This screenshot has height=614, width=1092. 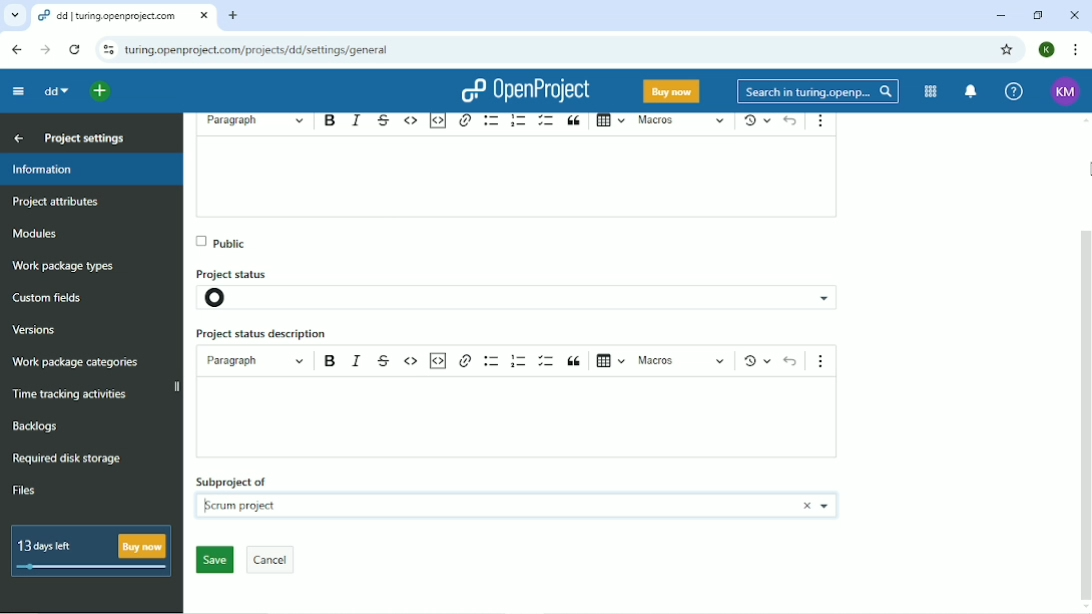 I want to click on Save, so click(x=216, y=560).